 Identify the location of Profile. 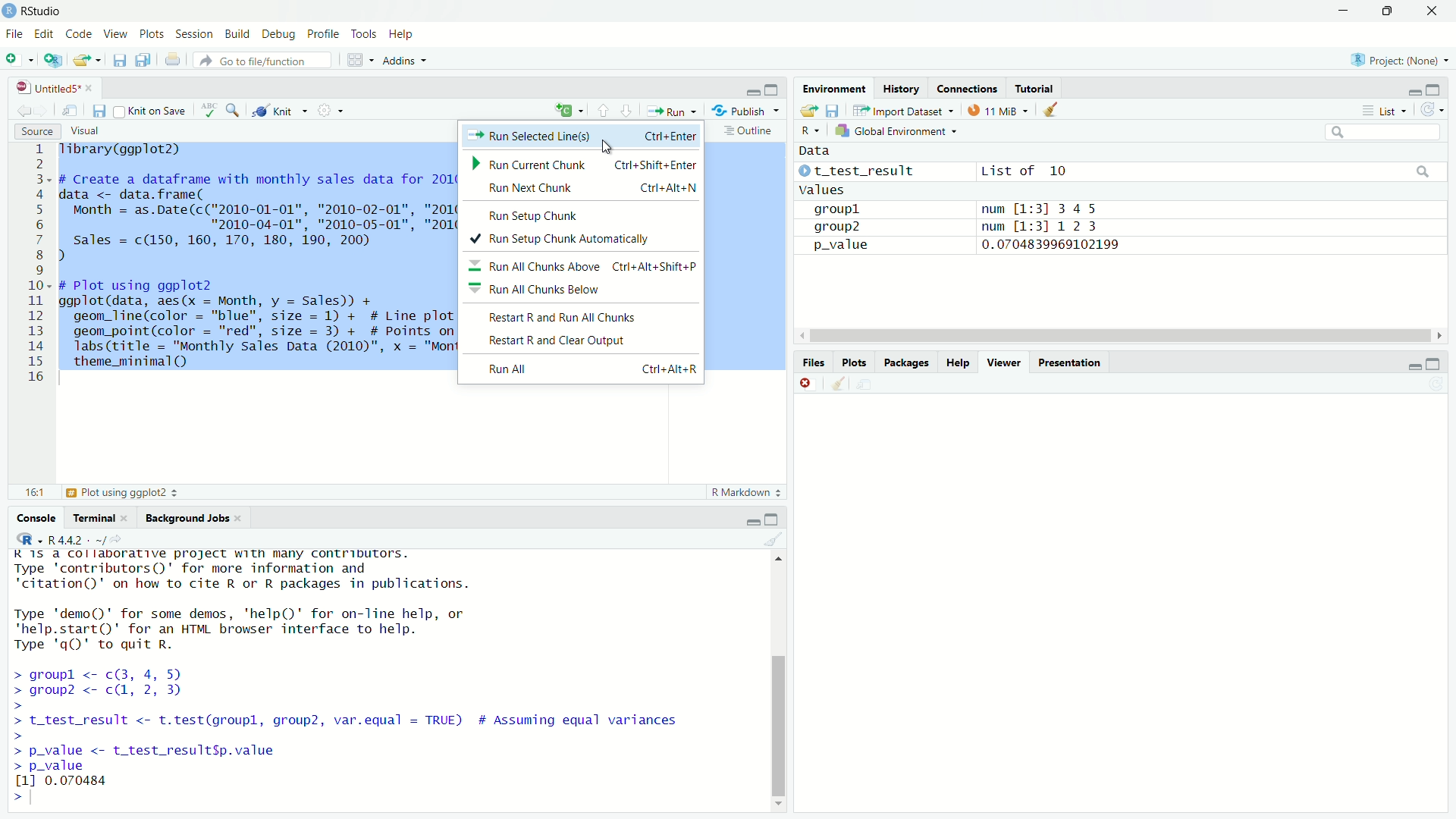
(322, 32).